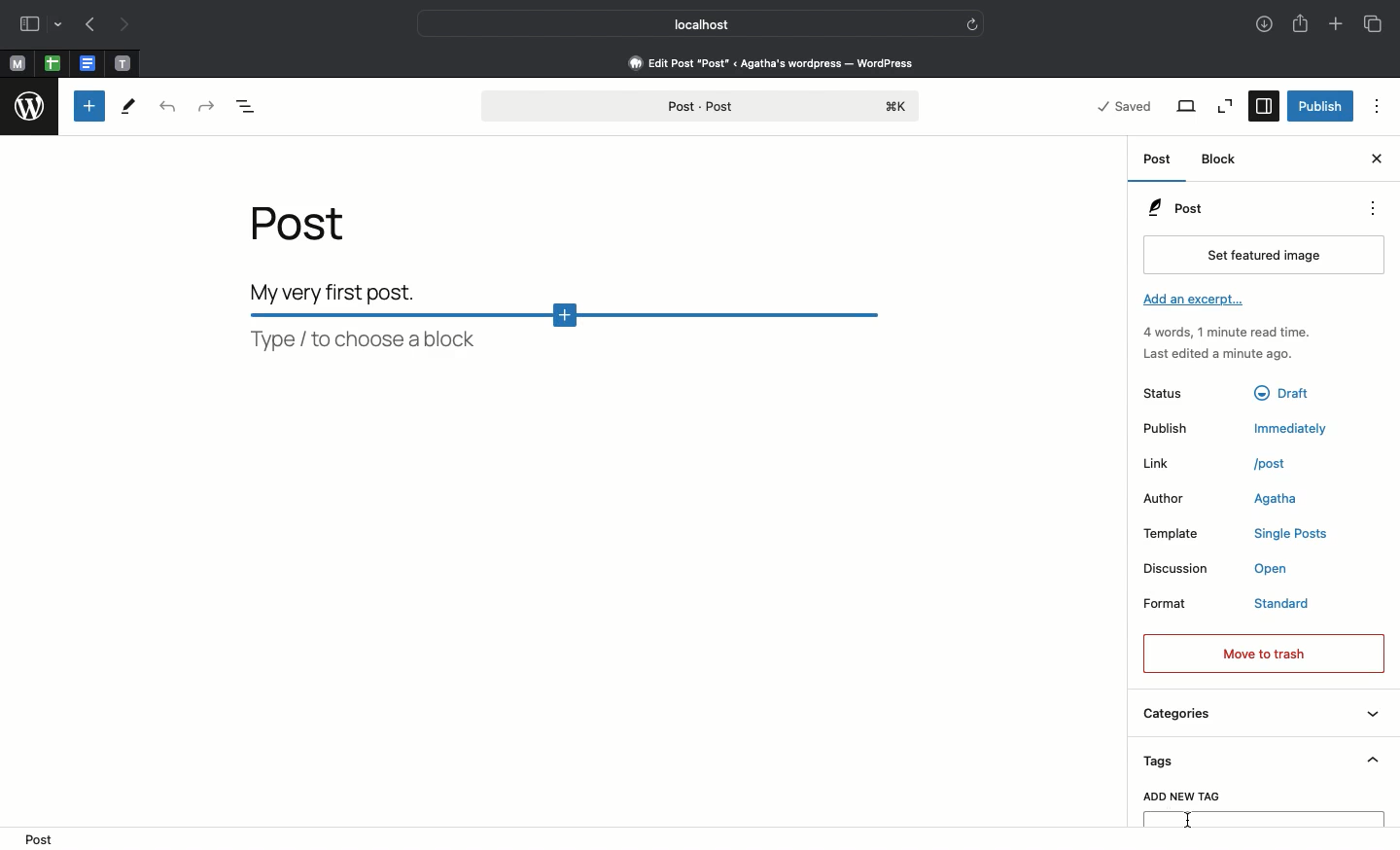 The width and height of the screenshot is (1400, 850). I want to click on Categories, so click(1260, 716).